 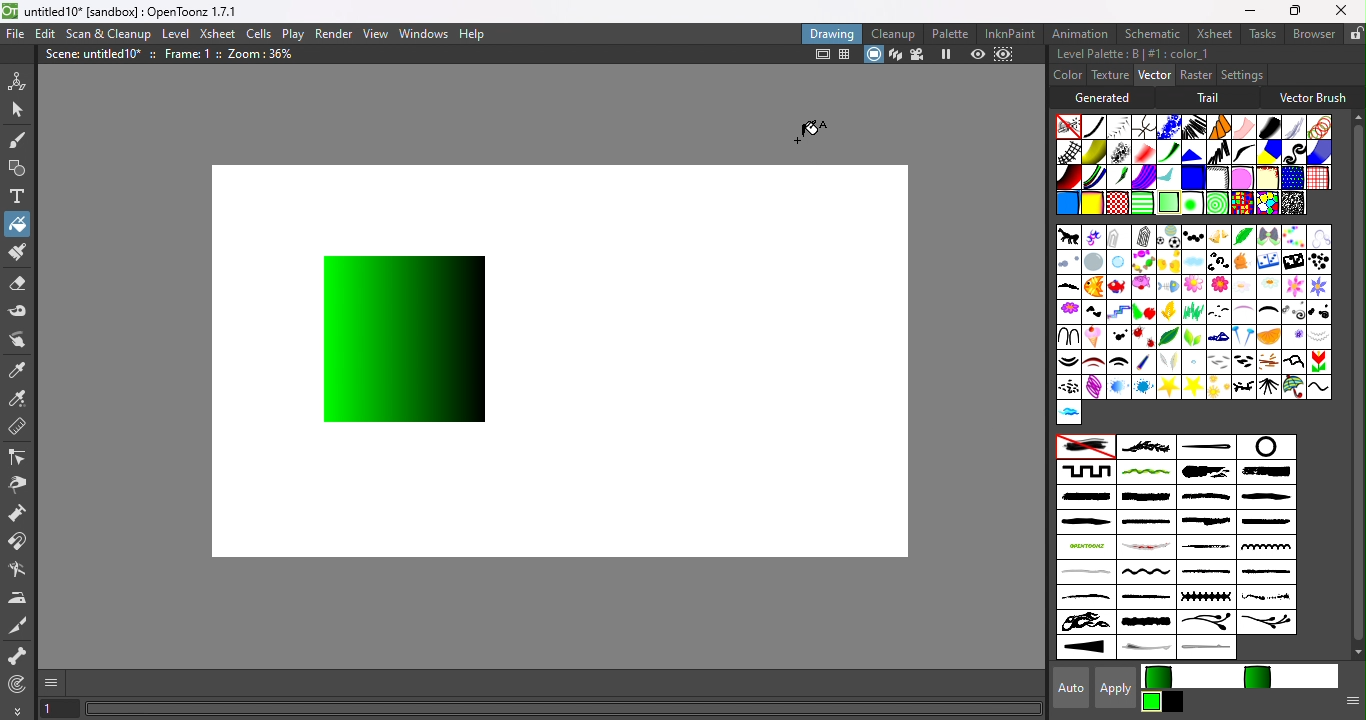 I want to click on nail, so click(x=1242, y=338).